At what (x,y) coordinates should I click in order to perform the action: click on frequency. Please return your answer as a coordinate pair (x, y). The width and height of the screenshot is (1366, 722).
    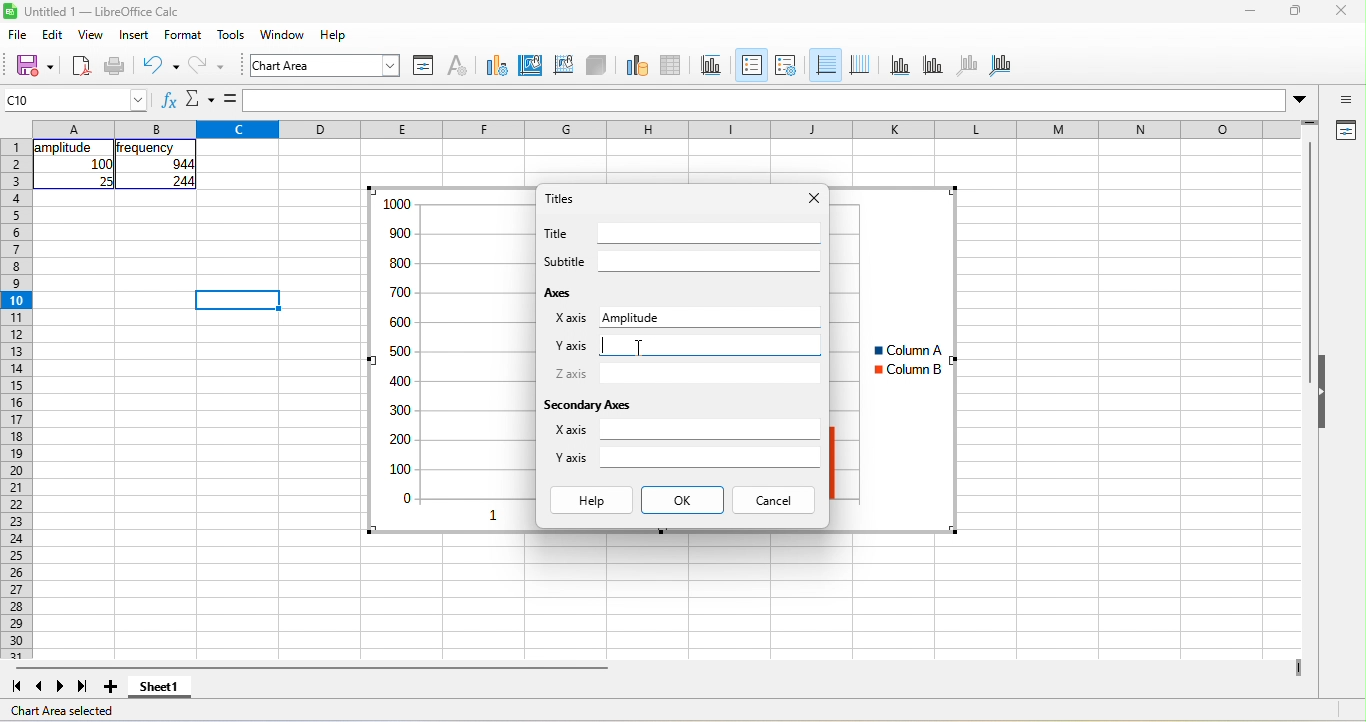
    Looking at the image, I should click on (145, 148).